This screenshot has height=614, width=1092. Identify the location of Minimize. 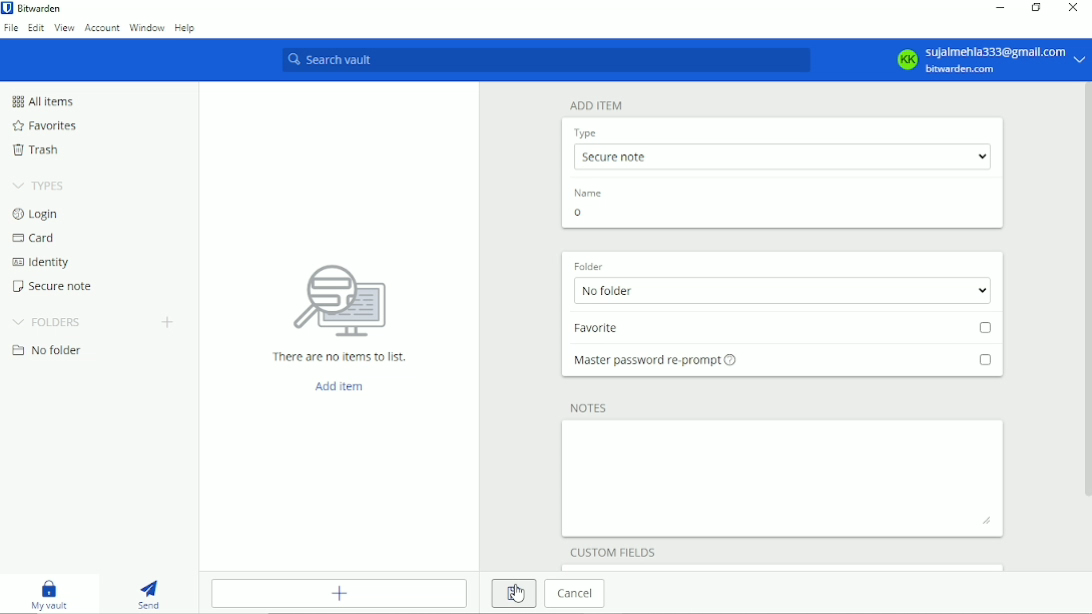
(998, 9).